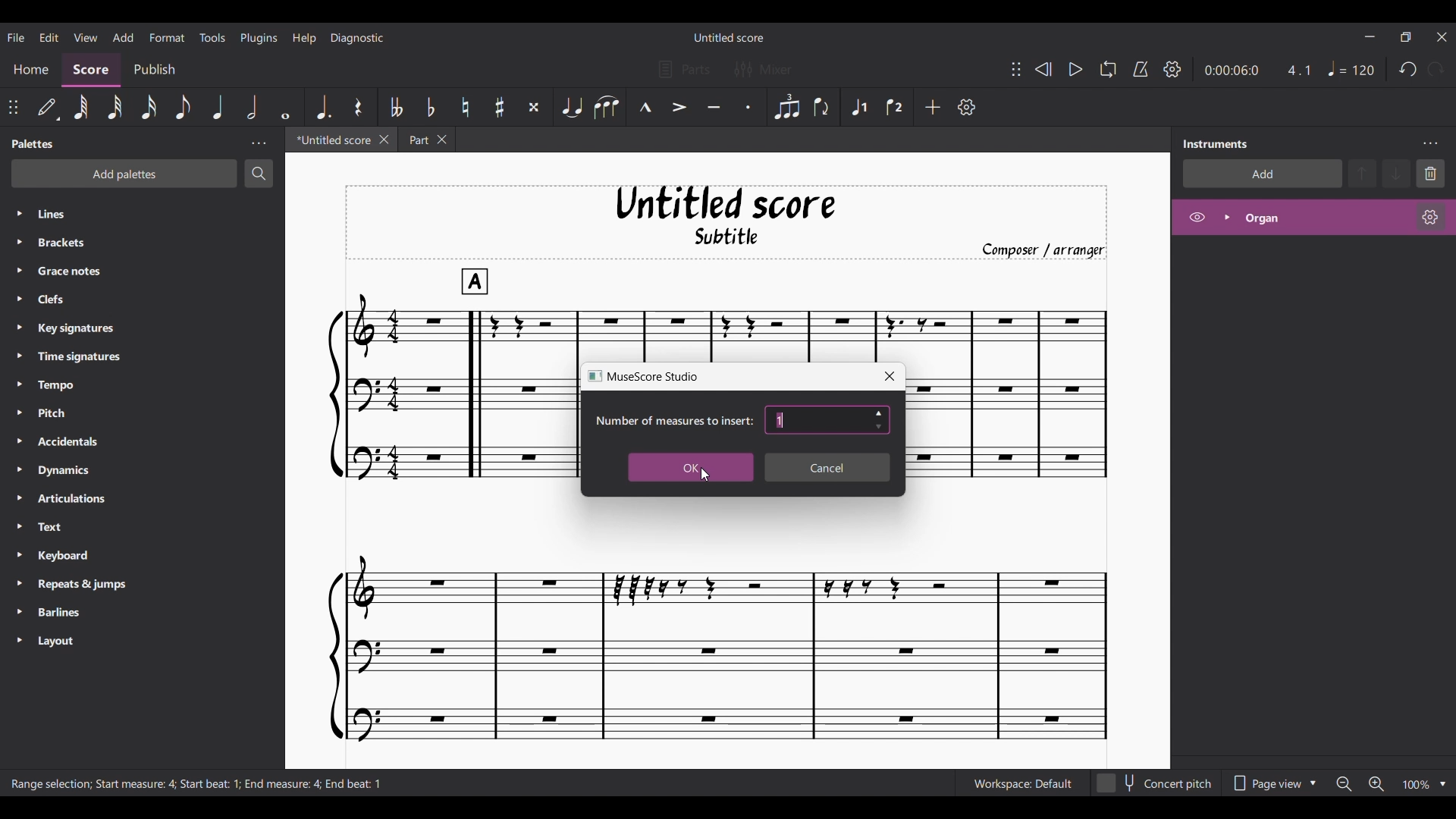 The width and height of the screenshot is (1456, 819). I want to click on Tuplet, so click(787, 108).